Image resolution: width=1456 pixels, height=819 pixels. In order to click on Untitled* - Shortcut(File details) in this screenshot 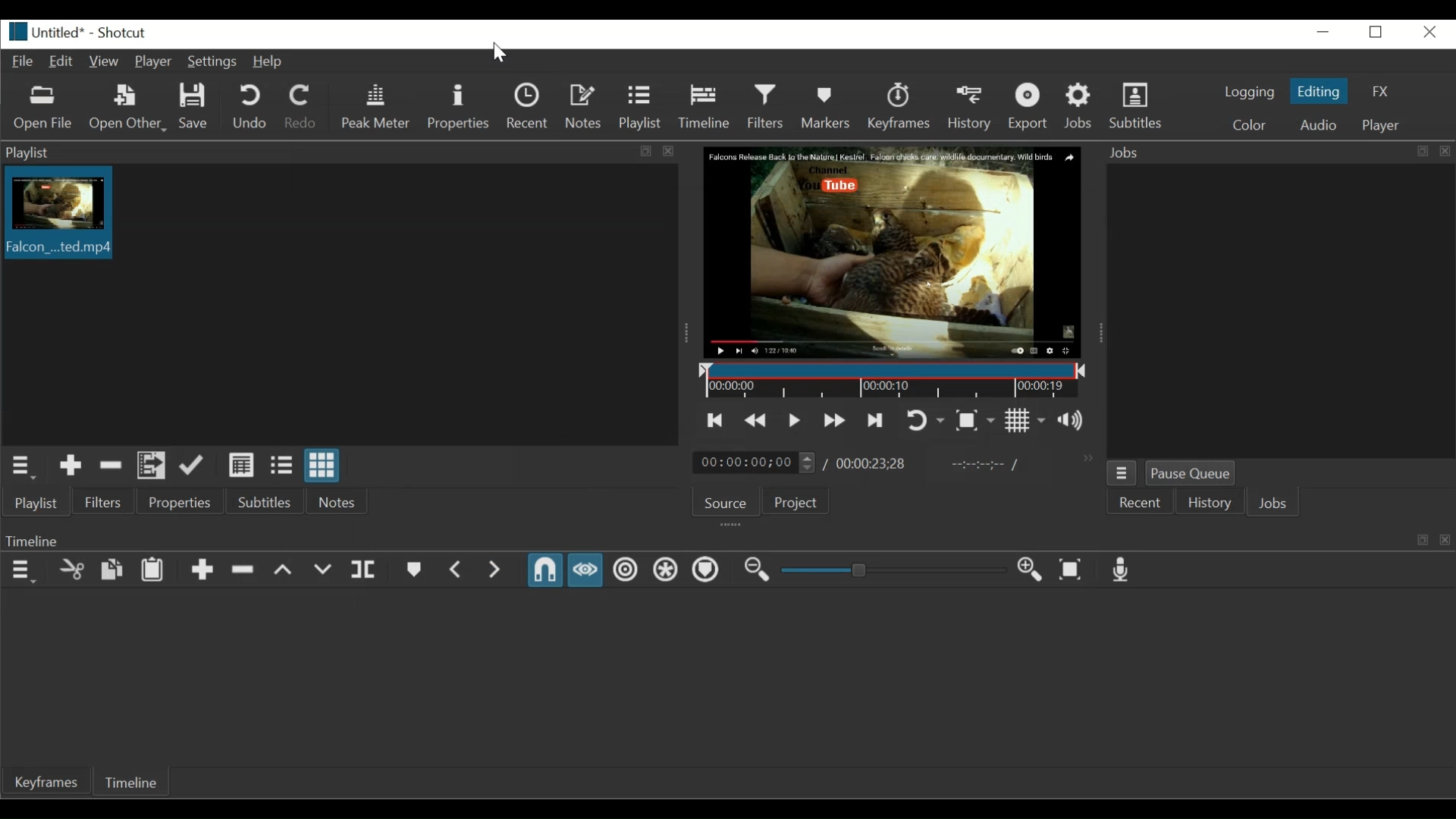, I will do `click(88, 33)`.